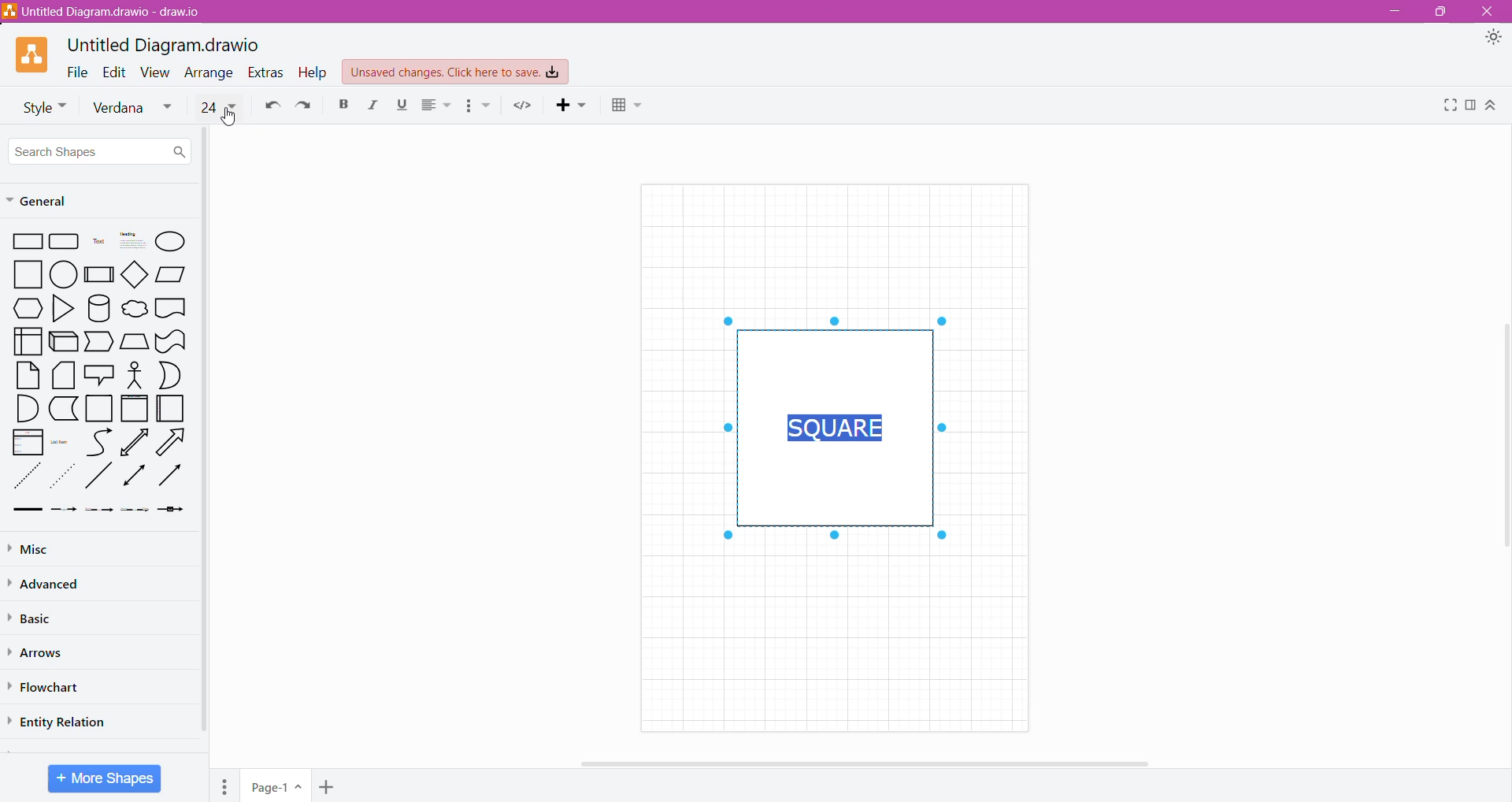 The image size is (1512, 802). Describe the element at coordinates (1495, 108) in the screenshot. I see `Expand/Collapse` at that location.